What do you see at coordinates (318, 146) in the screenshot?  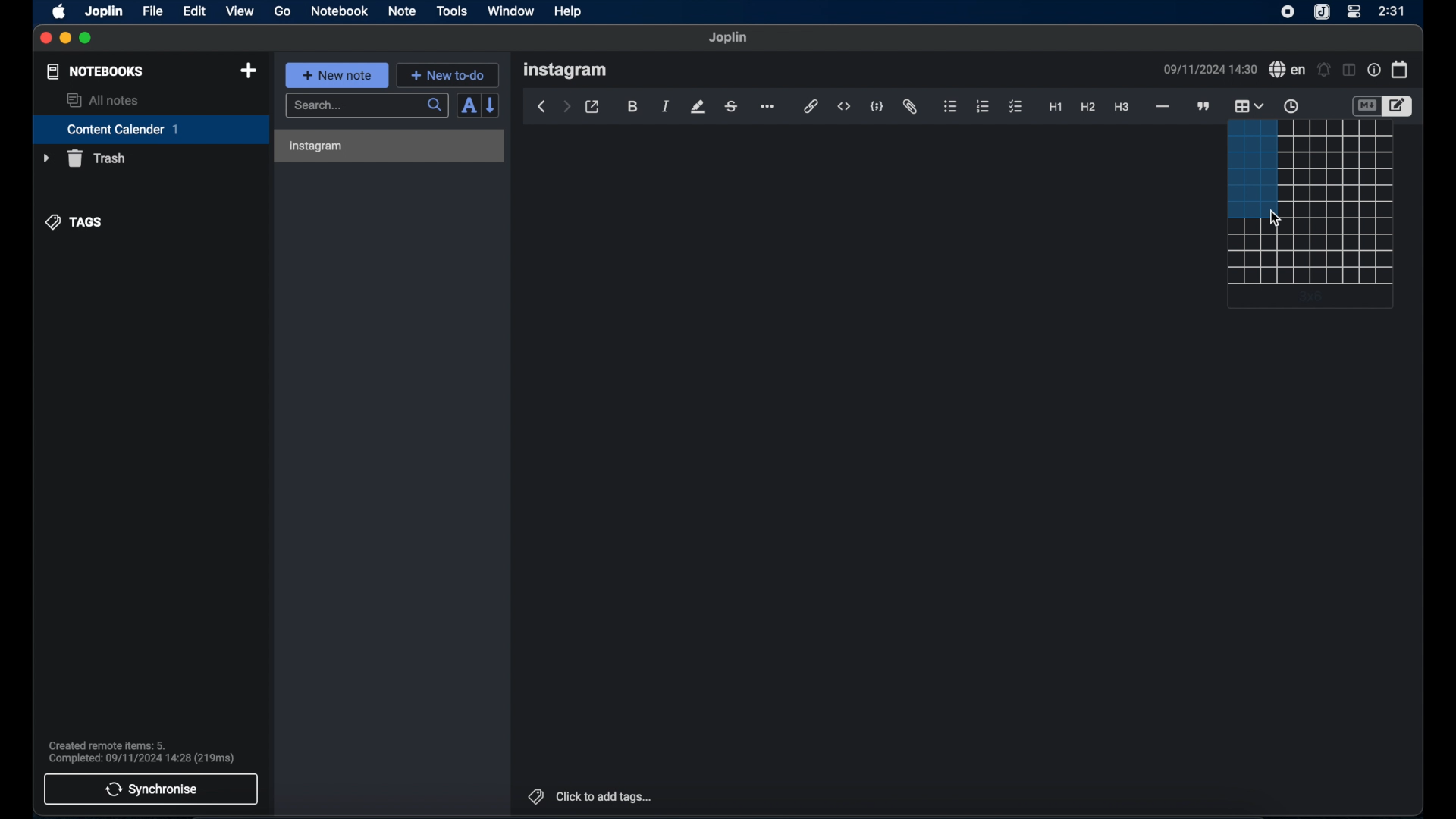 I see `instagram` at bounding box center [318, 146].